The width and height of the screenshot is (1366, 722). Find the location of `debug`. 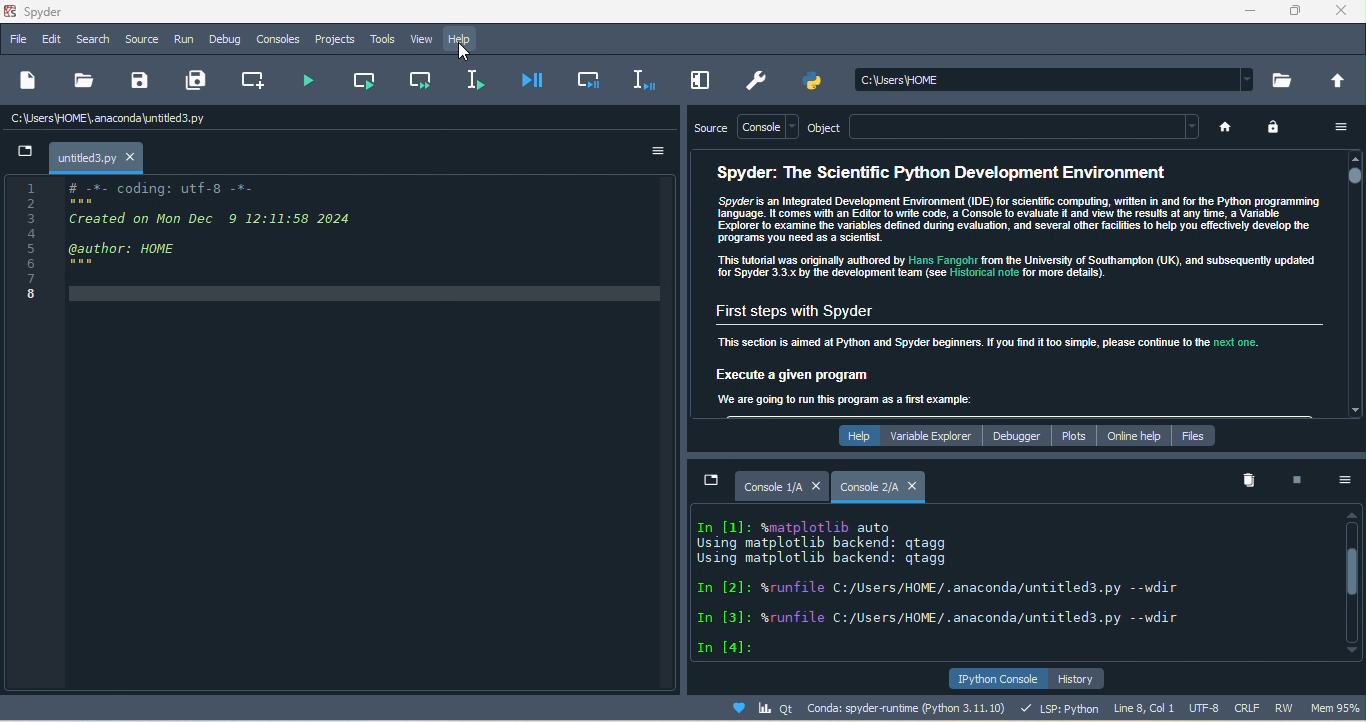

debug is located at coordinates (222, 40).